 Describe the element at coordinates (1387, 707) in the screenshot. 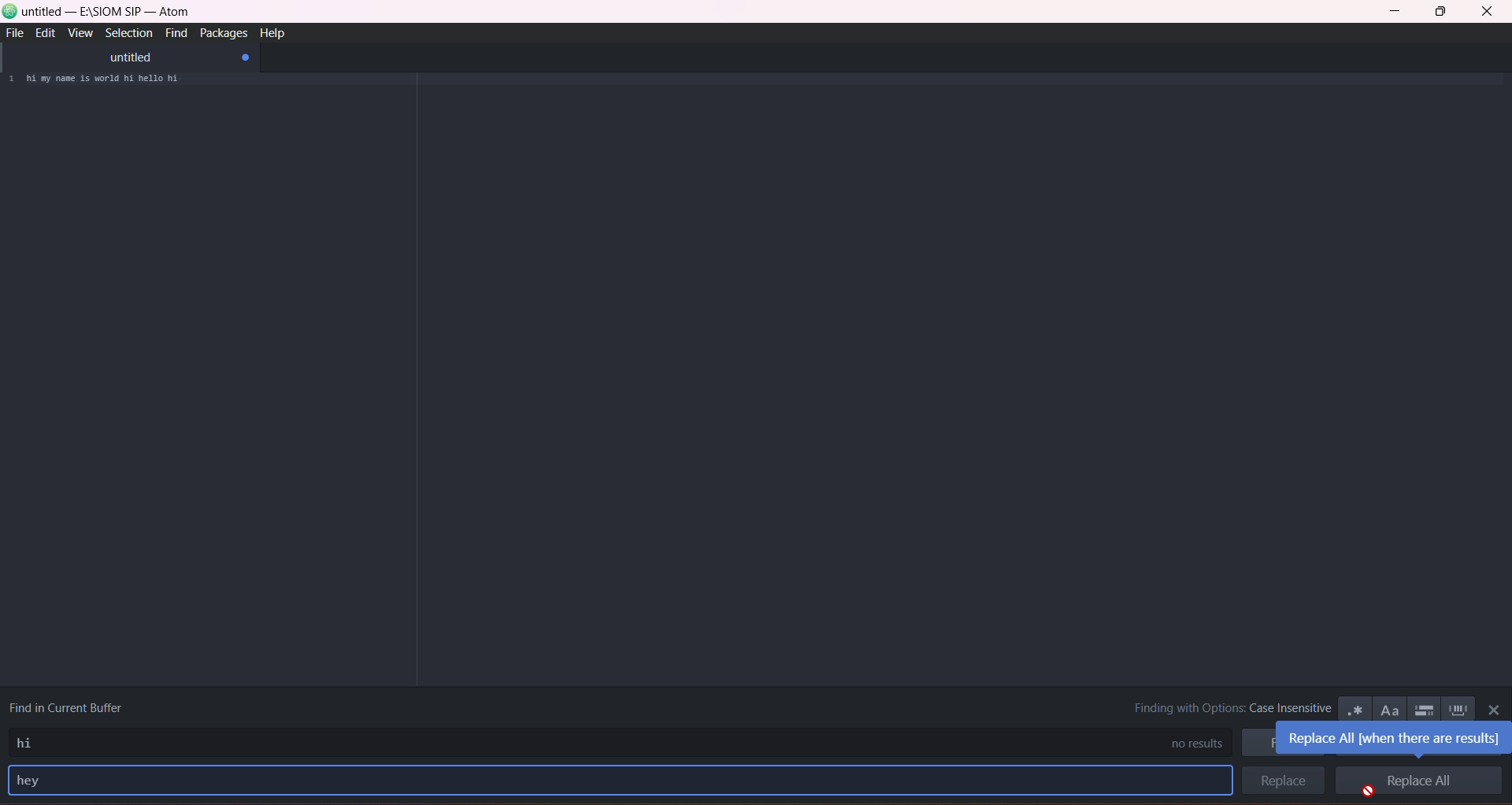

I see `match case` at that location.